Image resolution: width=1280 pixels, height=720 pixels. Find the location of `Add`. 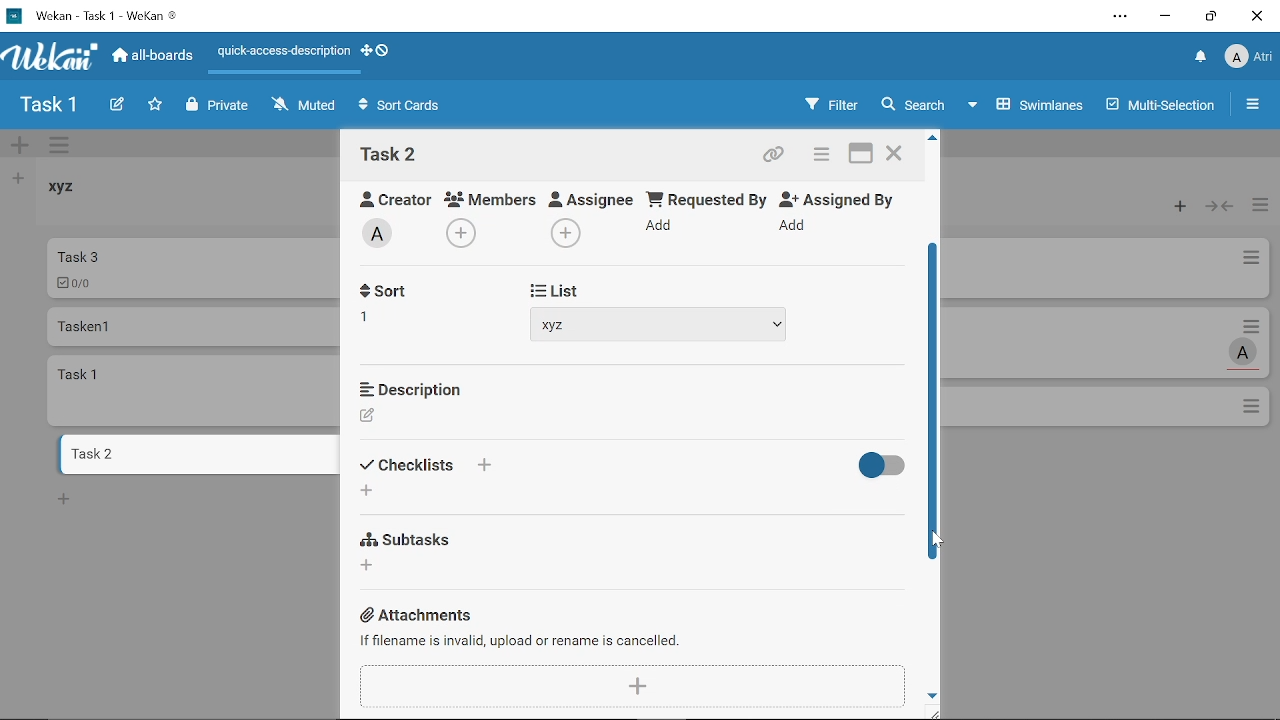

Add is located at coordinates (563, 233).